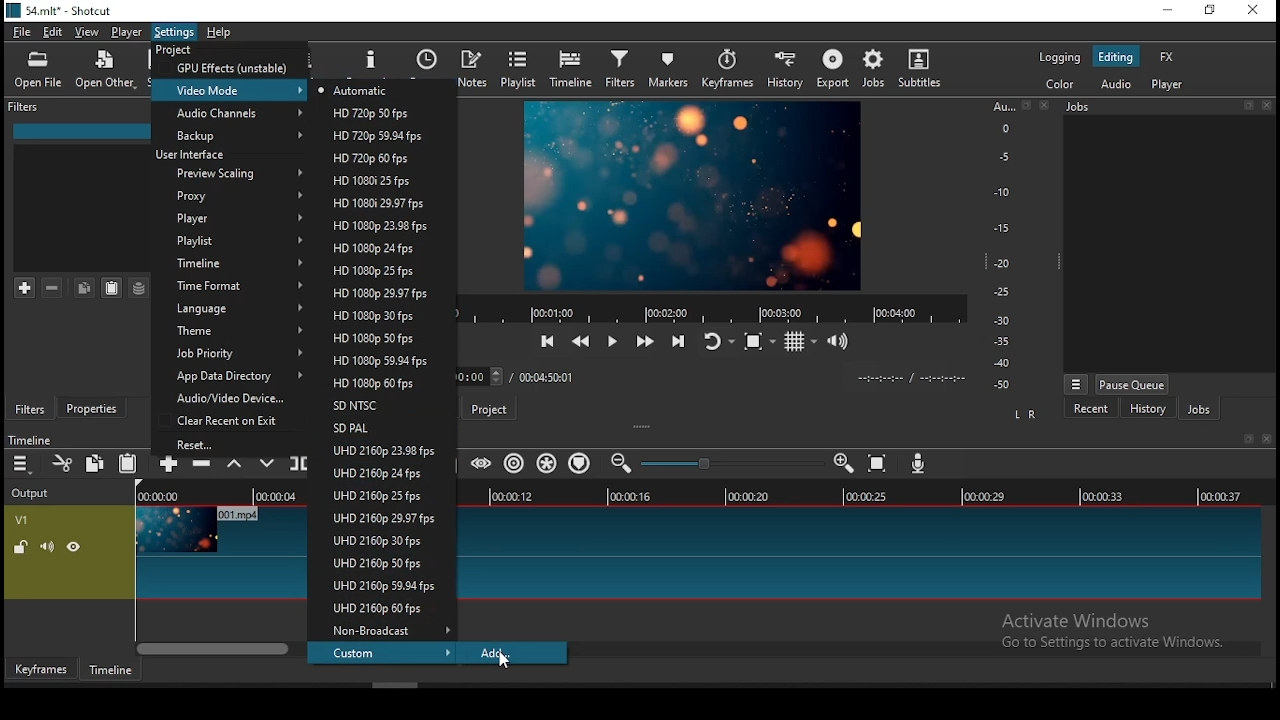 The height and width of the screenshot is (720, 1280). Describe the element at coordinates (359, 89) in the screenshot. I see `automatic` at that location.